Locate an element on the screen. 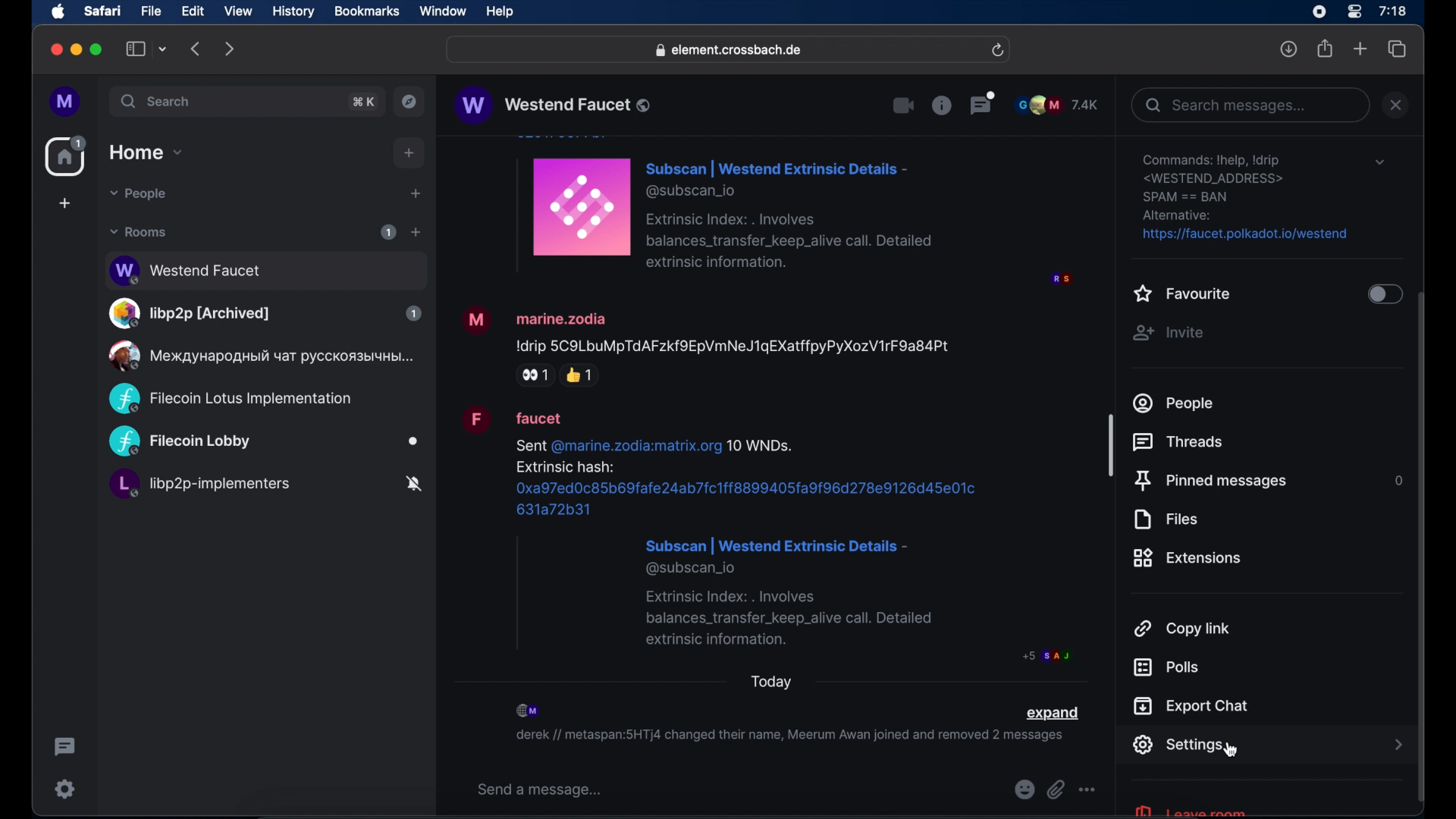 The image size is (1456, 819). safari is located at coordinates (102, 11).